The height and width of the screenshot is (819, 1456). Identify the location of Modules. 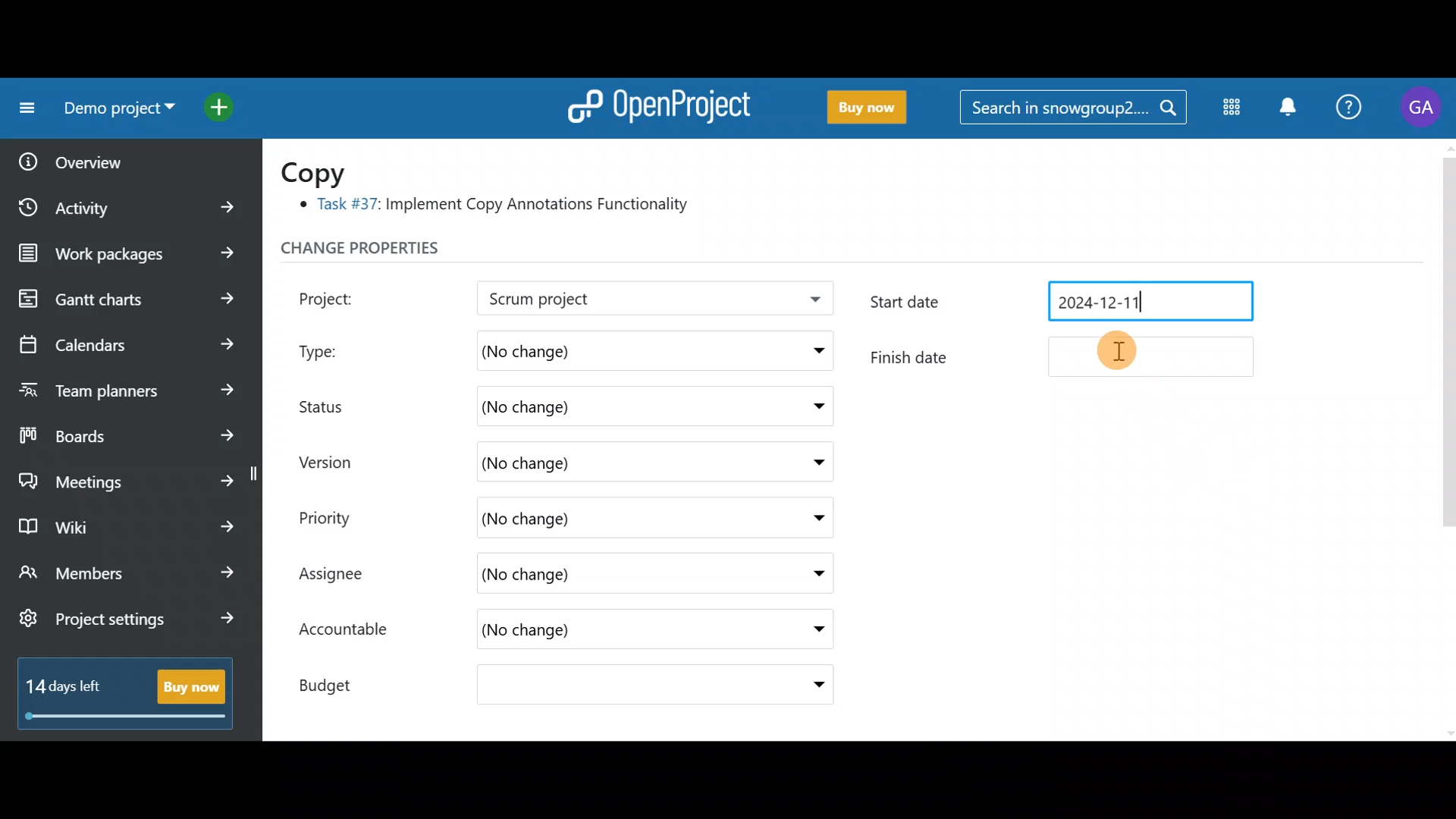
(1227, 110).